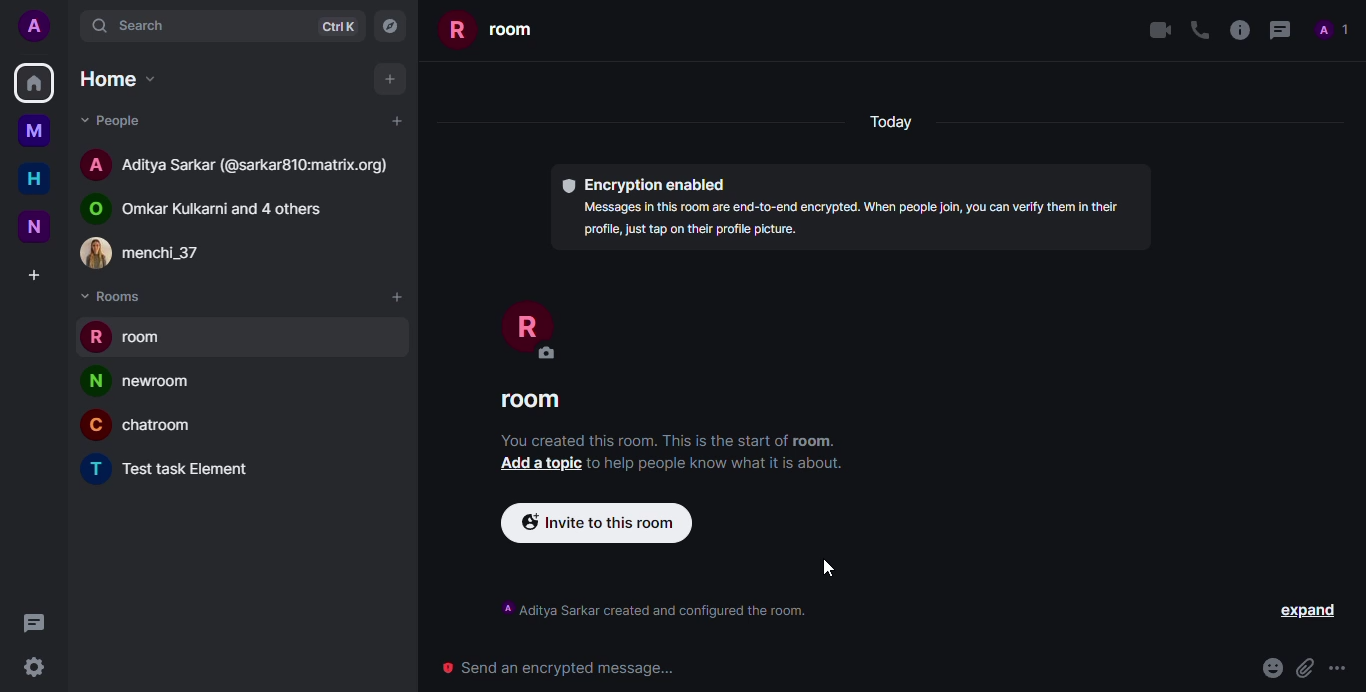  Describe the element at coordinates (665, 439) in the screenshot. I see `You created this room. This is the start of room.` at that location.